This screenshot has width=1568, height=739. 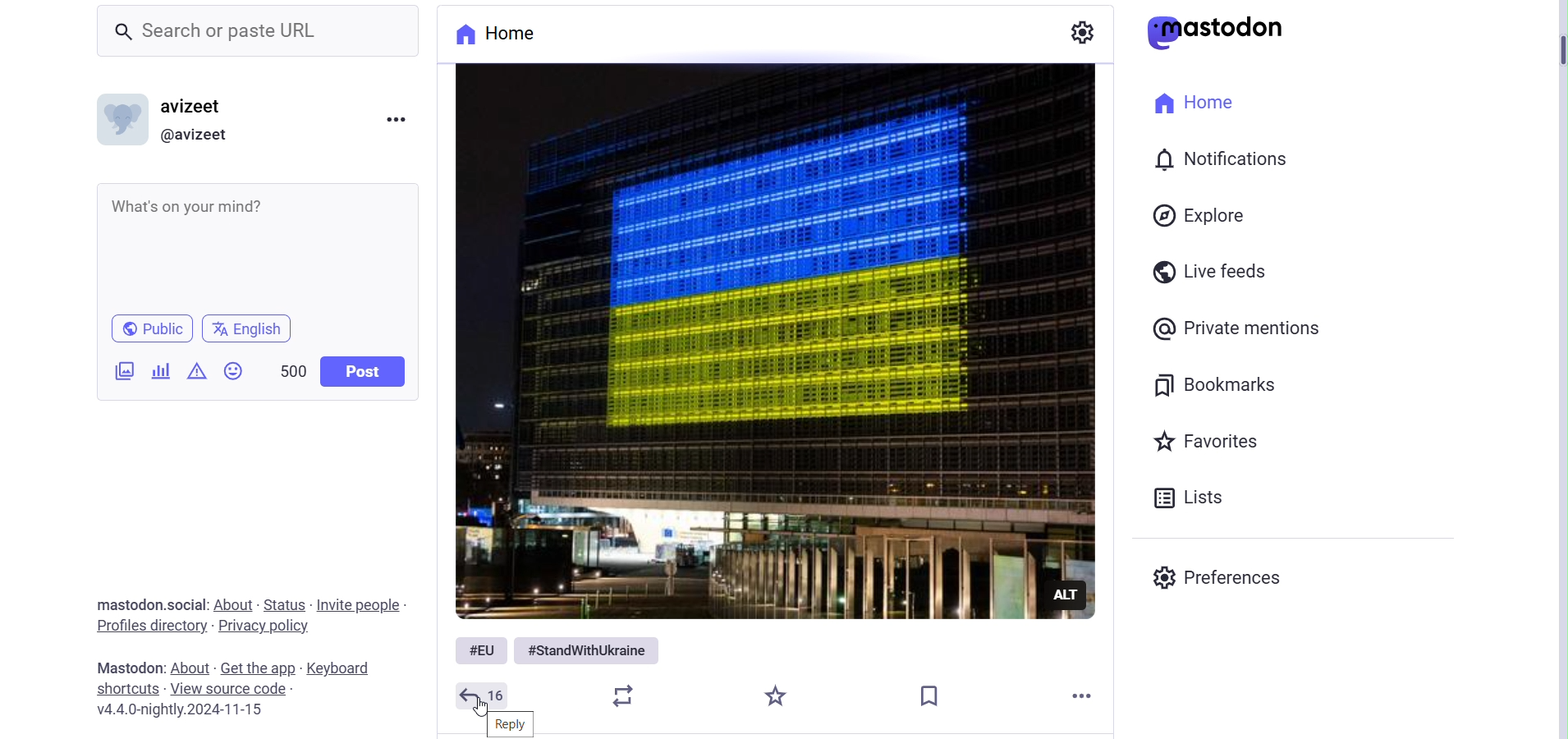 I want to click on Notification, so click(x=1218, y=156).